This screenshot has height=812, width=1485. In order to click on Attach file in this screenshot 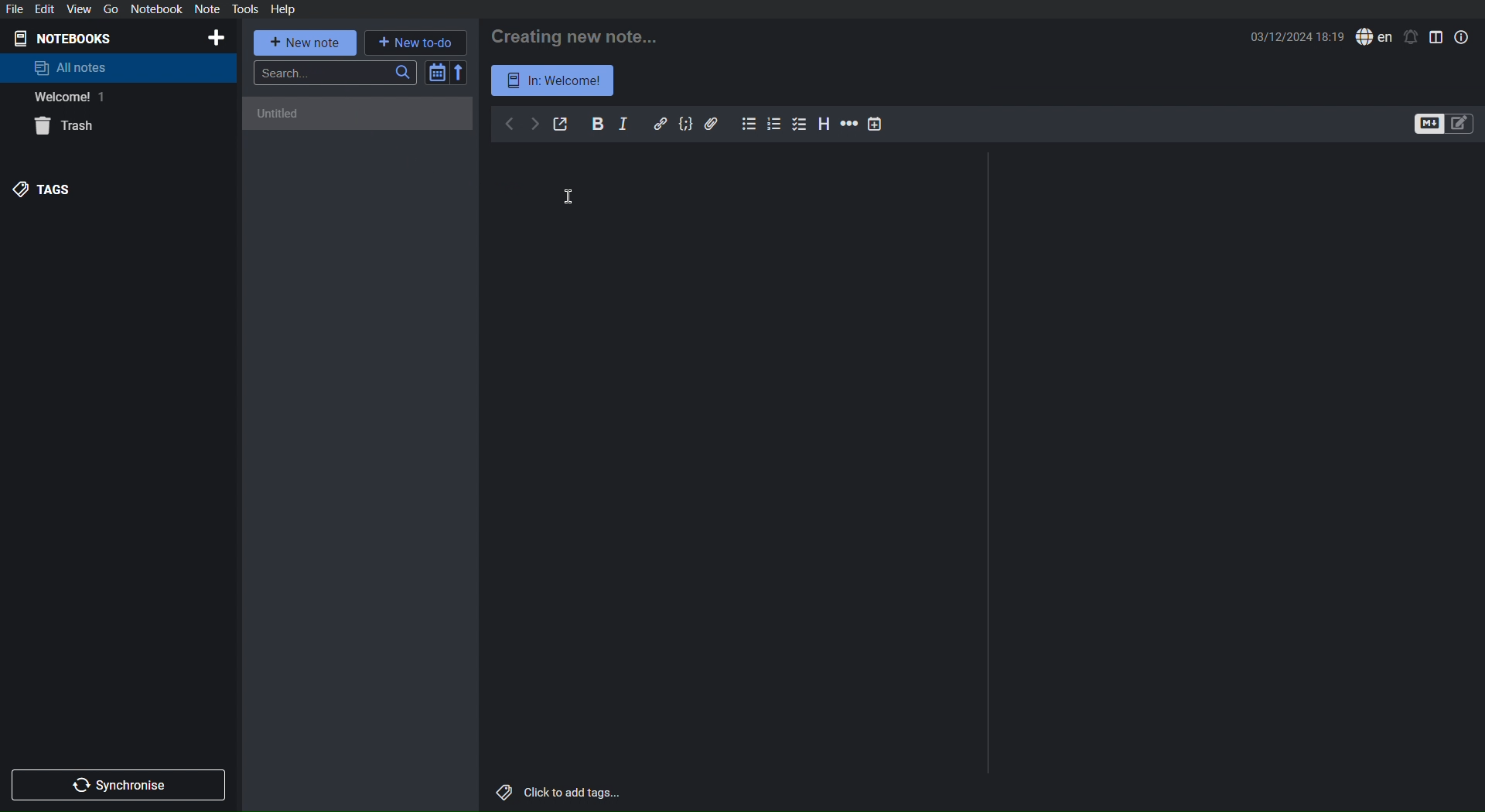, I will do `click(712, 123)`.